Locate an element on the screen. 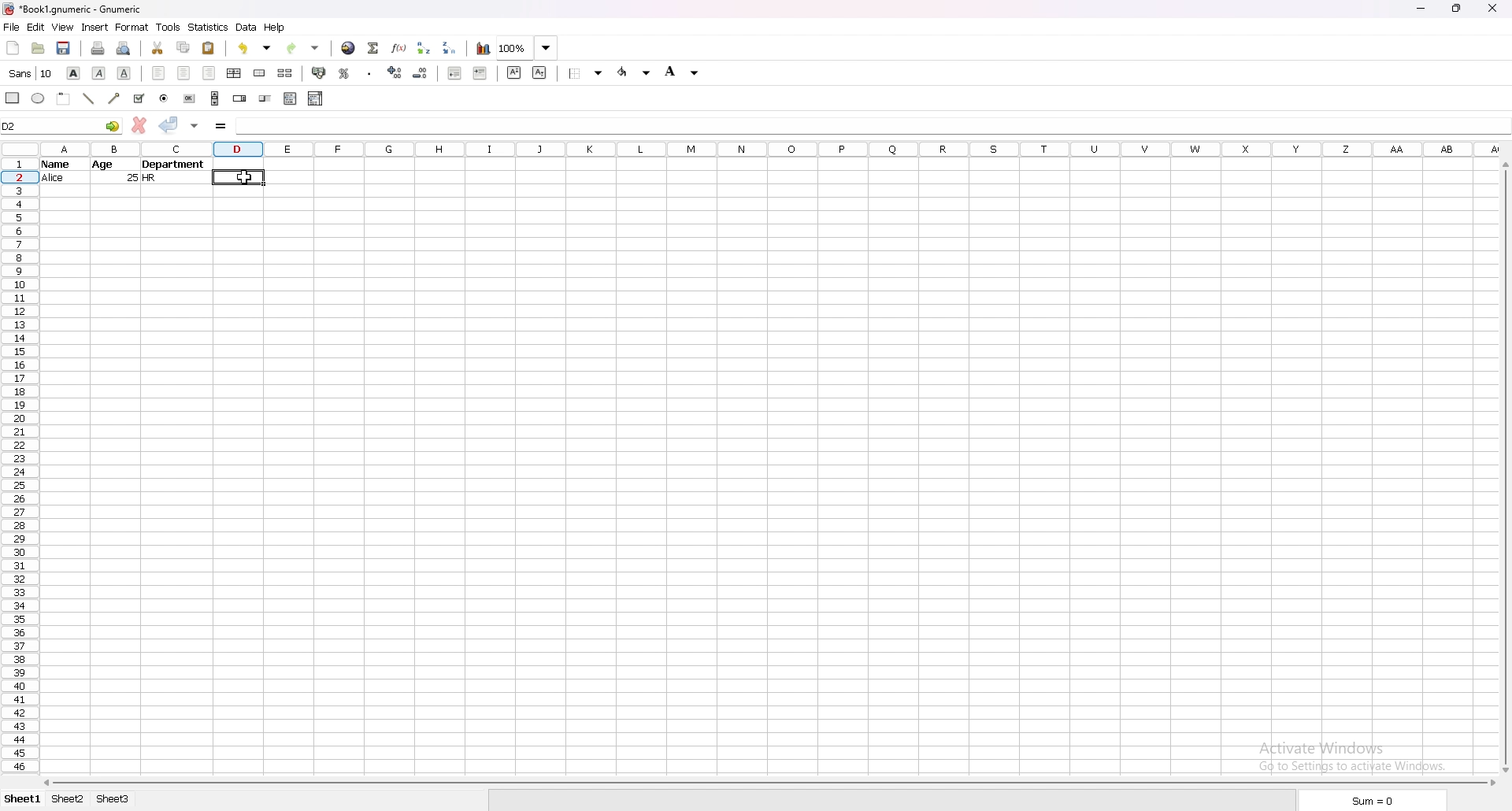  file name is located at coordinates (75, 9).